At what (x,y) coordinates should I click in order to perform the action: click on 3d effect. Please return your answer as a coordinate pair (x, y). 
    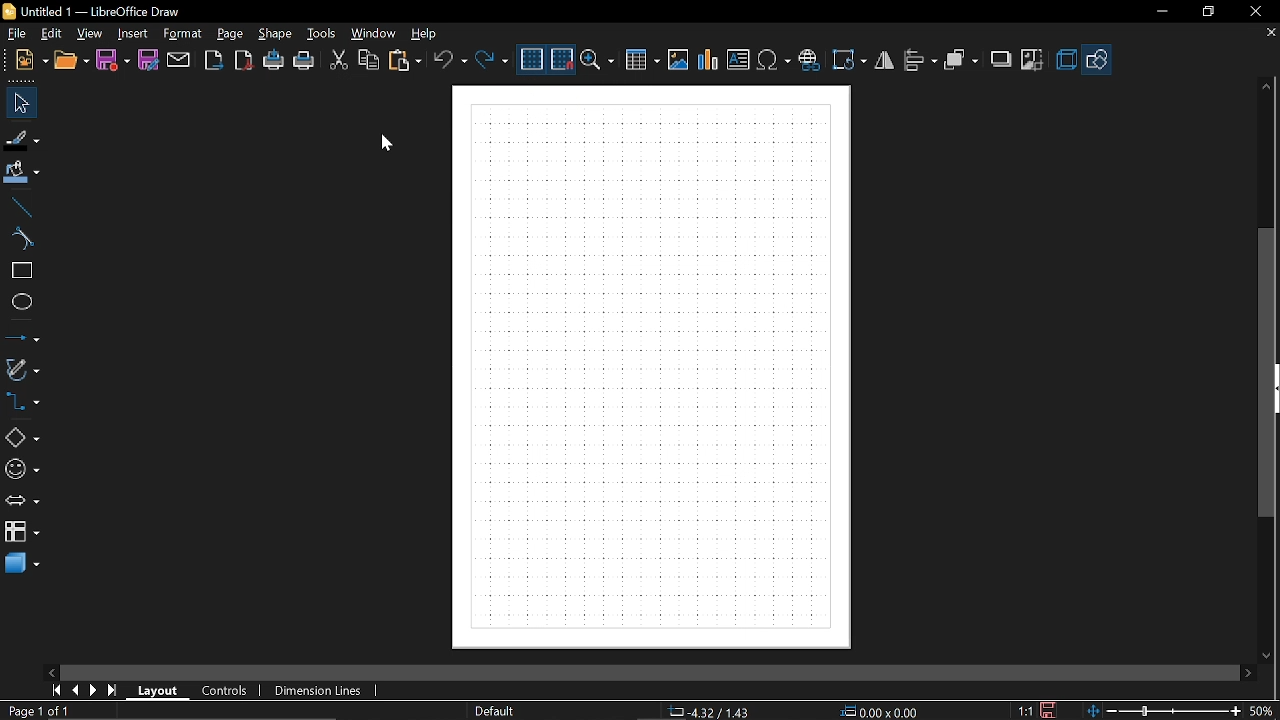
    Looking at the image, I should click on (1068, 61).